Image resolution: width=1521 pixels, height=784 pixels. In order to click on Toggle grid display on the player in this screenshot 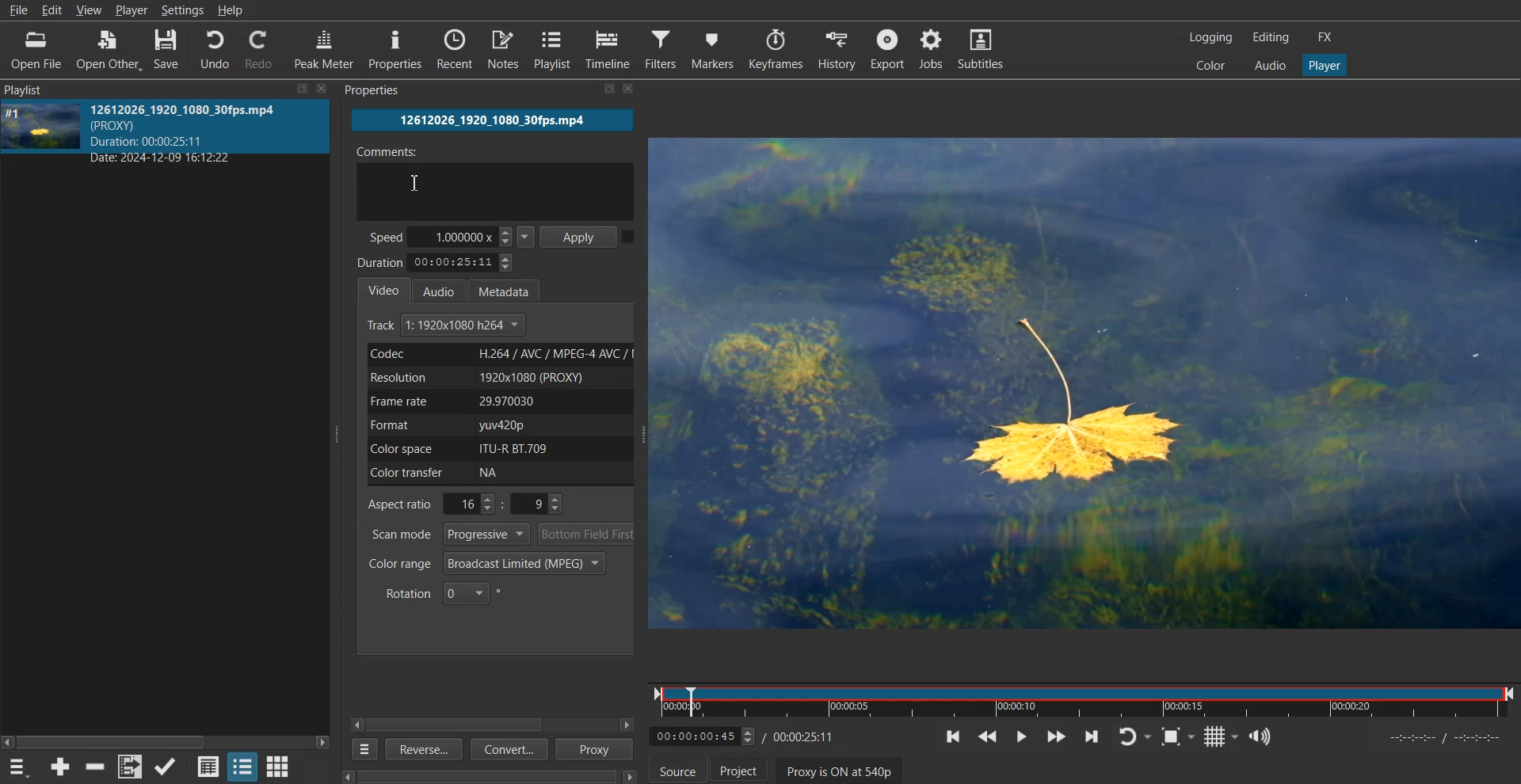, I will do `click(1221, 736)`.